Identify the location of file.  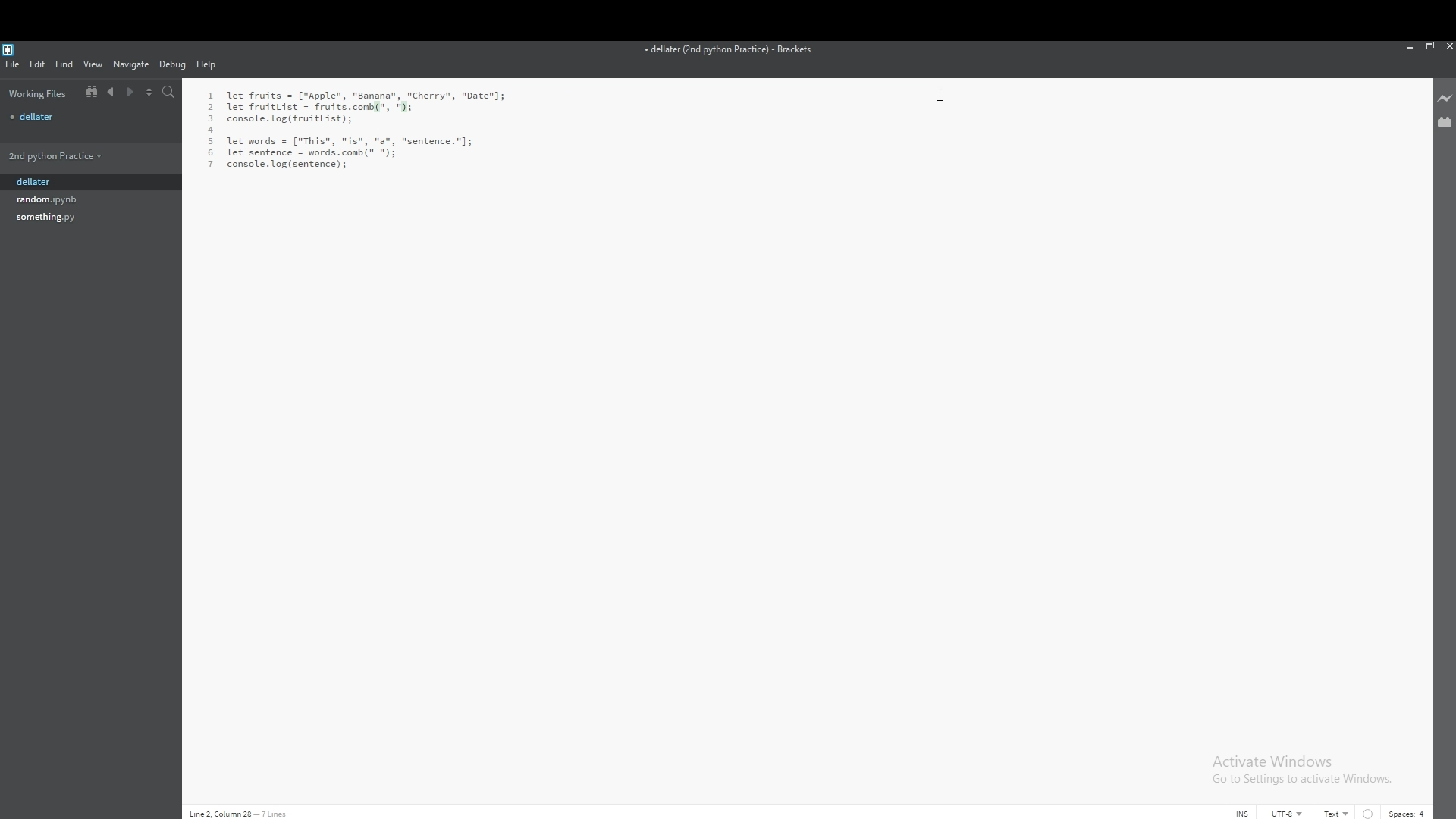
(89, 116).